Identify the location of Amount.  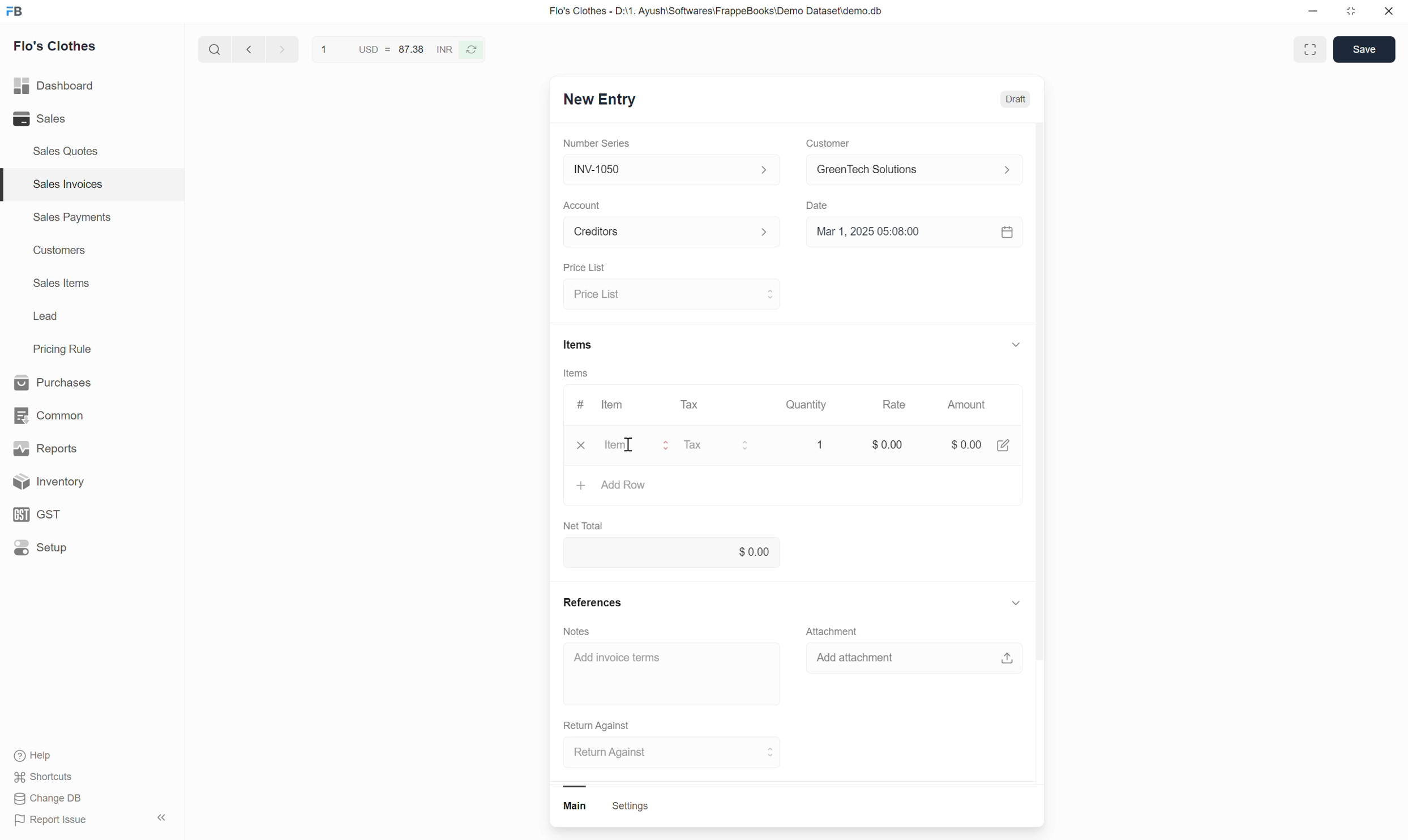
(966, 405).